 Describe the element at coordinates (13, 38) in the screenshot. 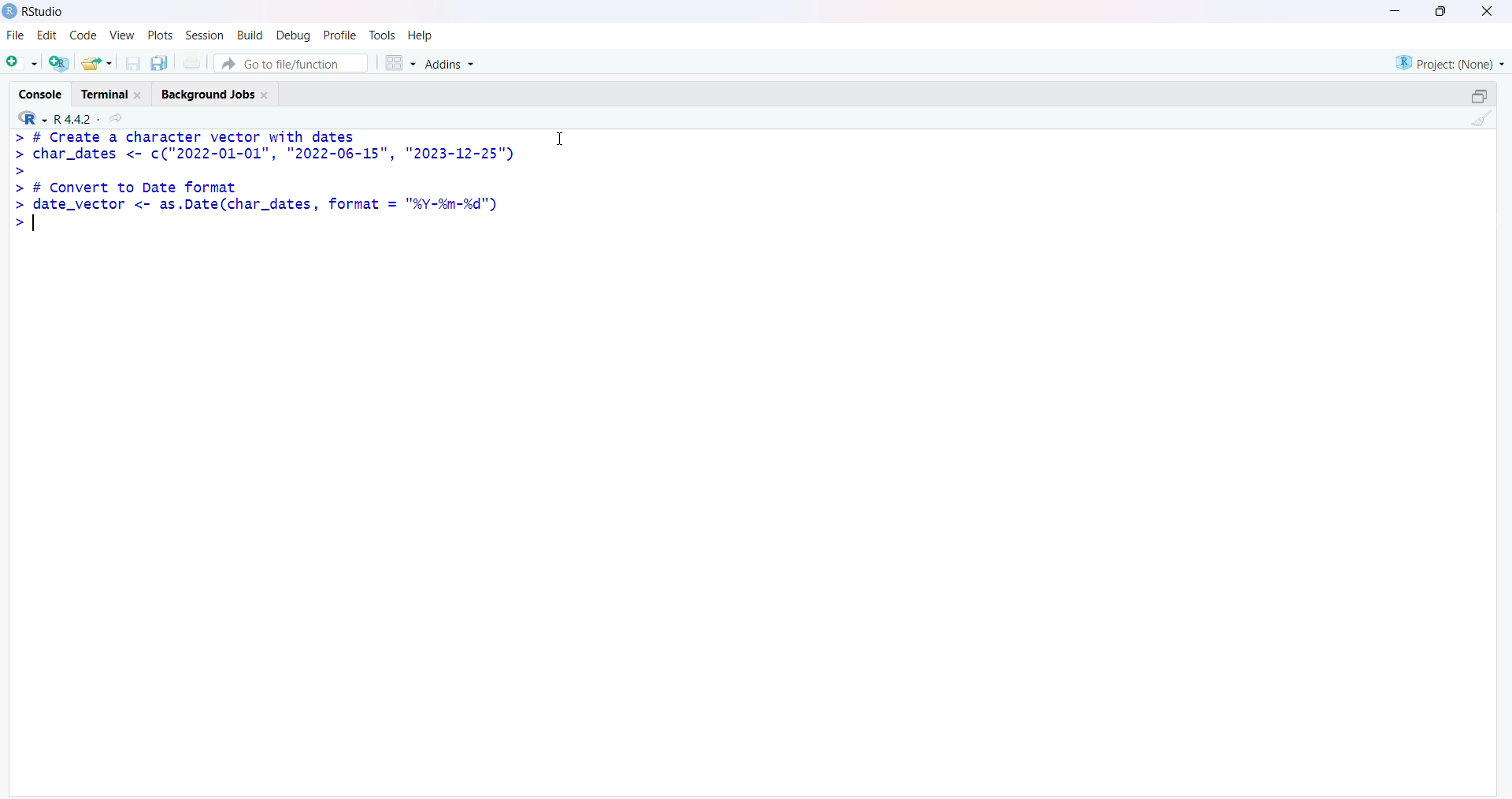

I see `File` at that location.